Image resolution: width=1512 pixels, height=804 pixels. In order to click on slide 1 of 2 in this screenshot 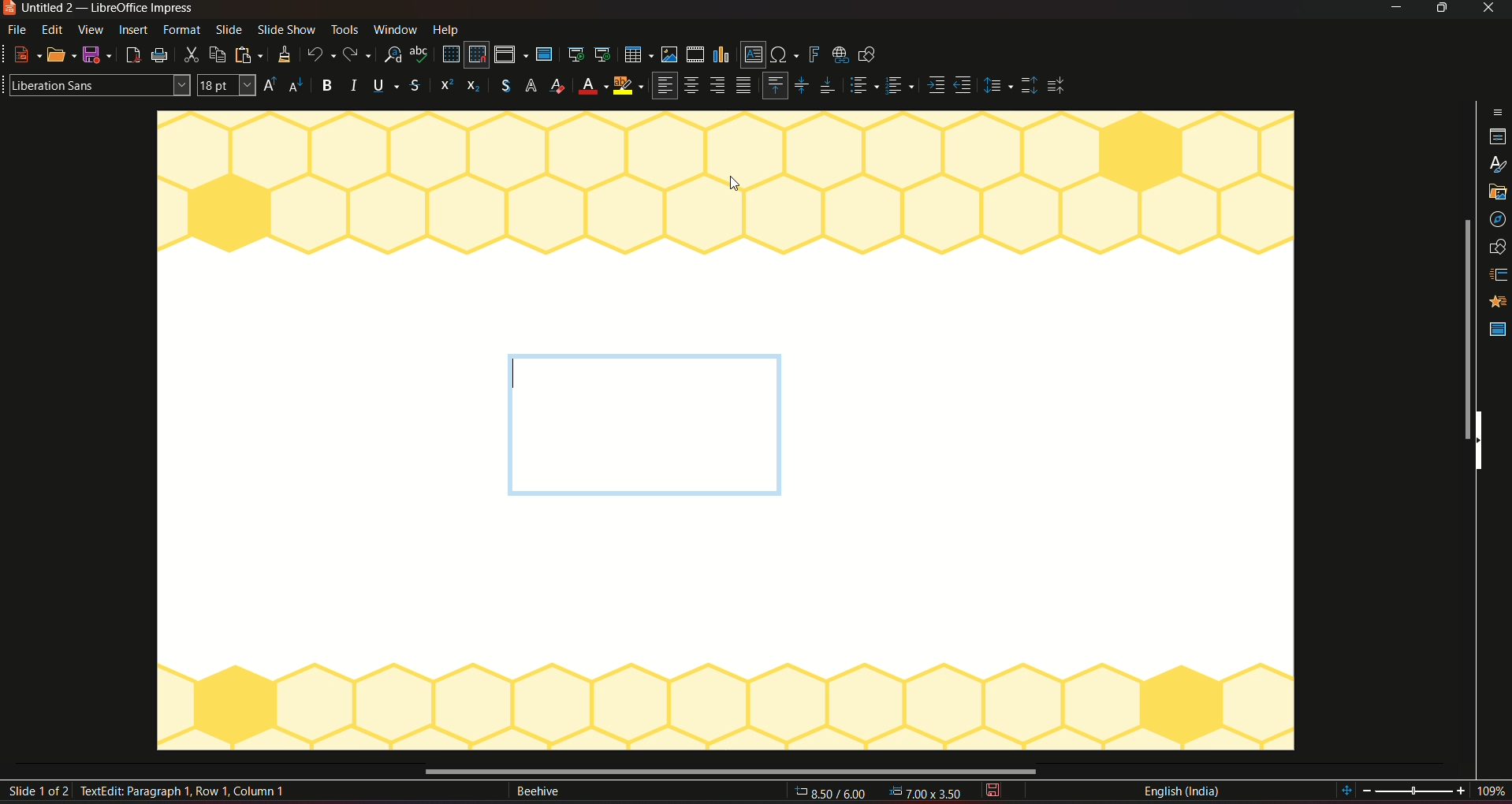, I will do `click(40, 792)`.